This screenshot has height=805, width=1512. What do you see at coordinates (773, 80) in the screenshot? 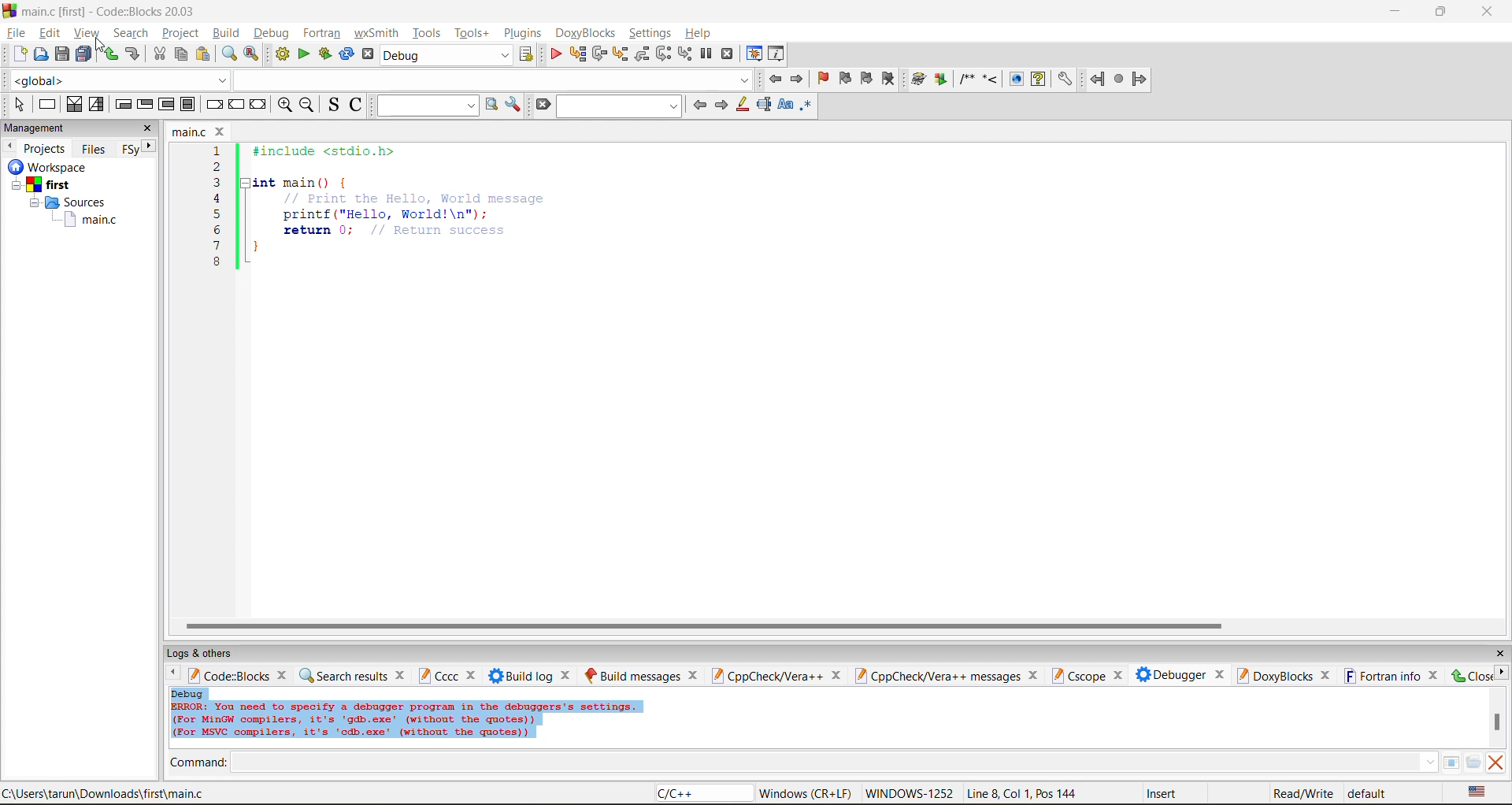
I see `jump back` at bounding box center [773, 80].